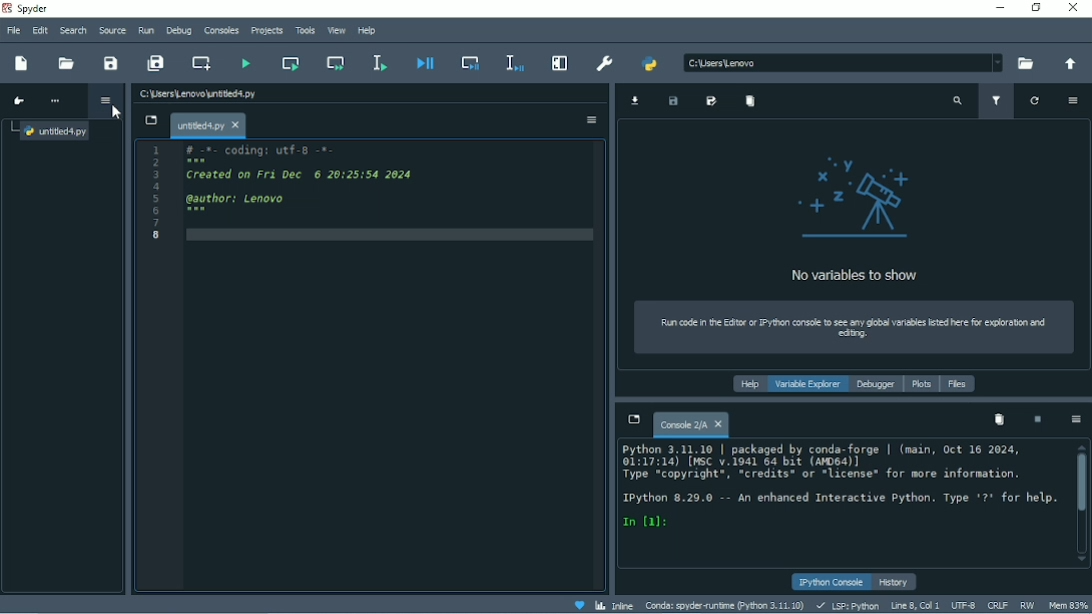 The height and width of the screenshot is (614, 1092). Describe the element at coordinates (58, 100) in the screenshot. I see `More` at that location.